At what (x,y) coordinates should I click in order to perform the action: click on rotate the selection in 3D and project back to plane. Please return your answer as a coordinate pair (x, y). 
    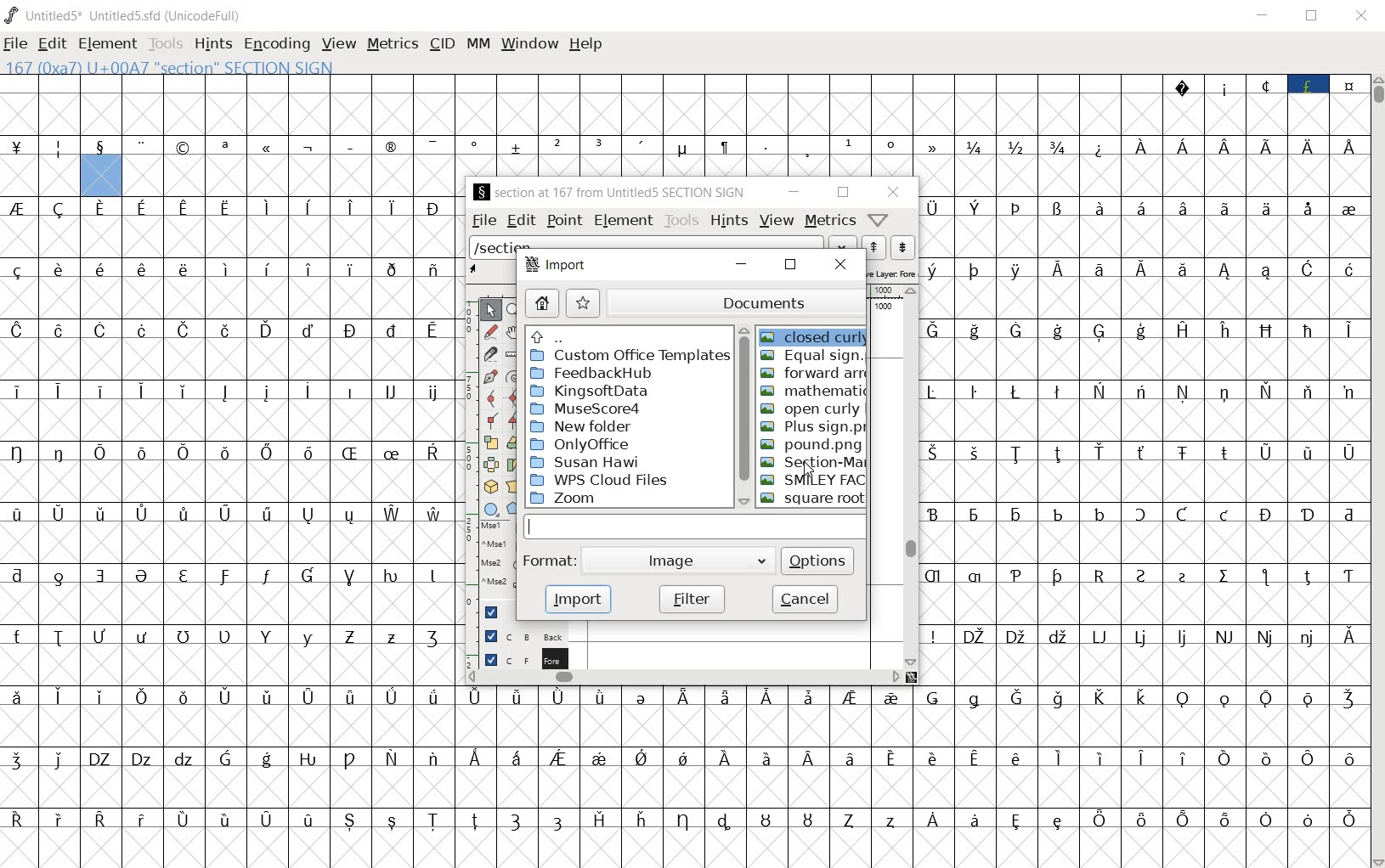
    Looking at the image, I should click on (490, 488).